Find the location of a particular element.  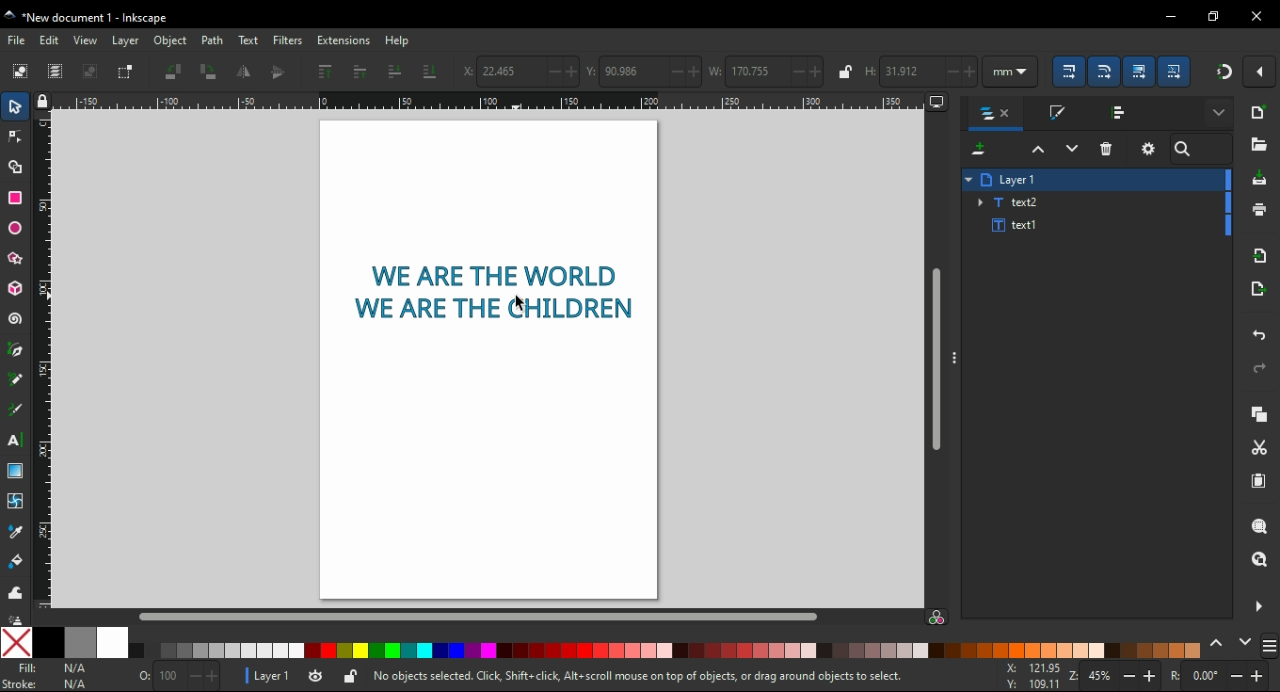

layer is located at coordinates (1020, 179).